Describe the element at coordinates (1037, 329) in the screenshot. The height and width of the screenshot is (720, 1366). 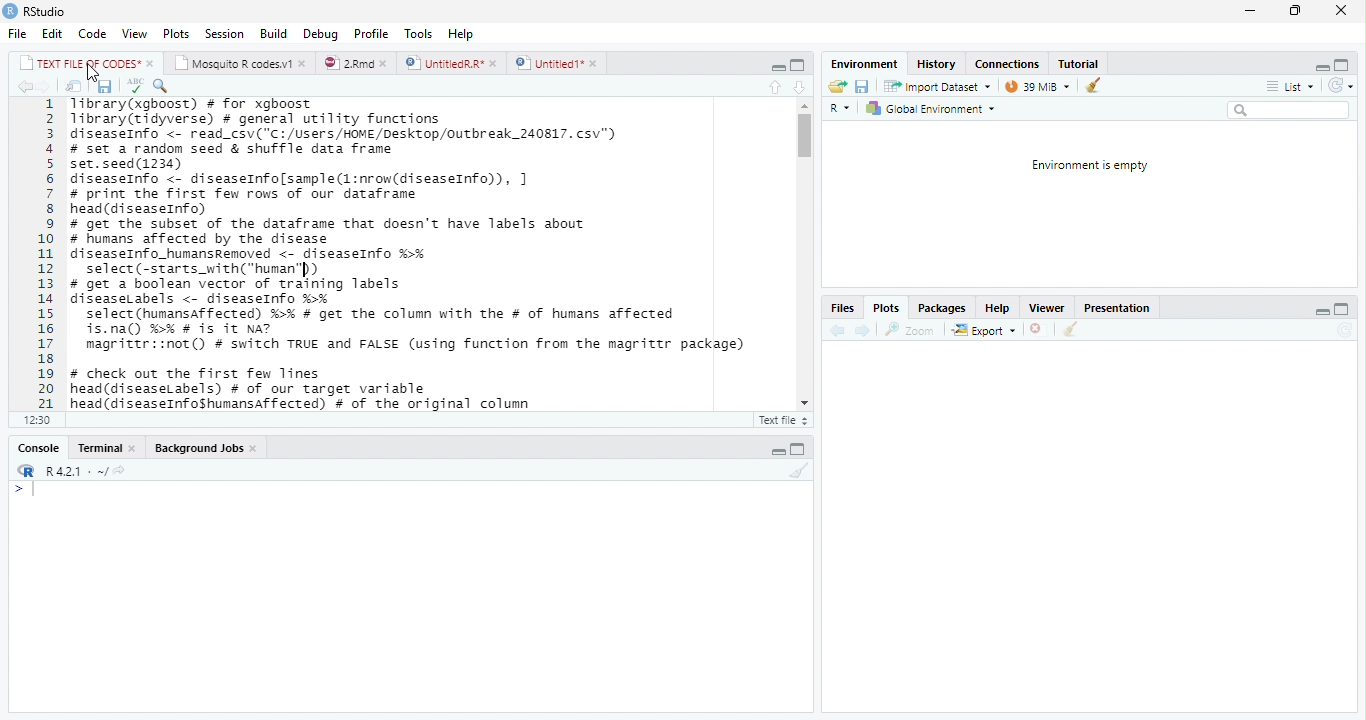
I see `Delete` at that location.